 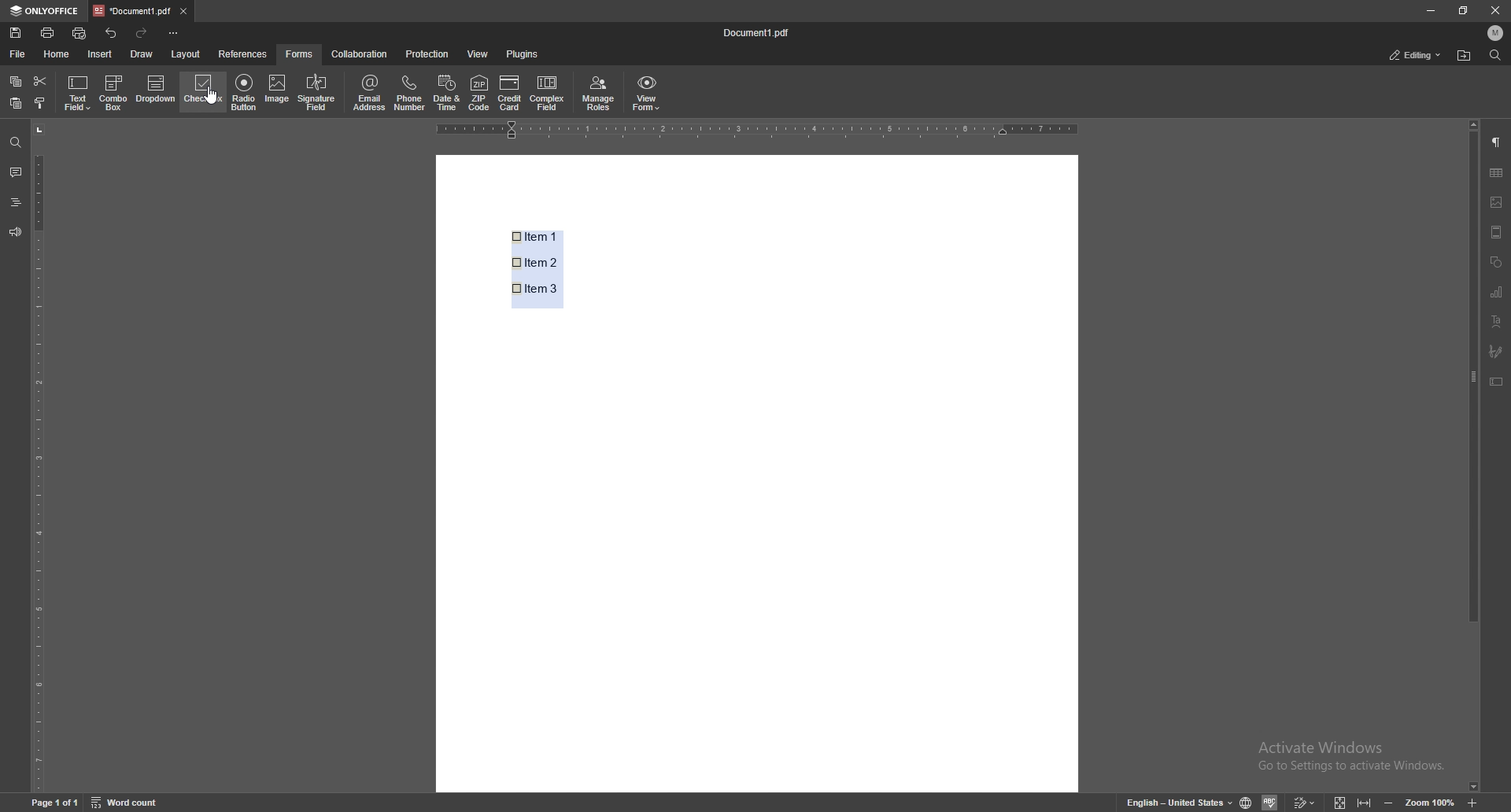 What do you see at coordinates (1178, 801) in the screenshot?
I see `change text language` at bounding box center [1178, 801].